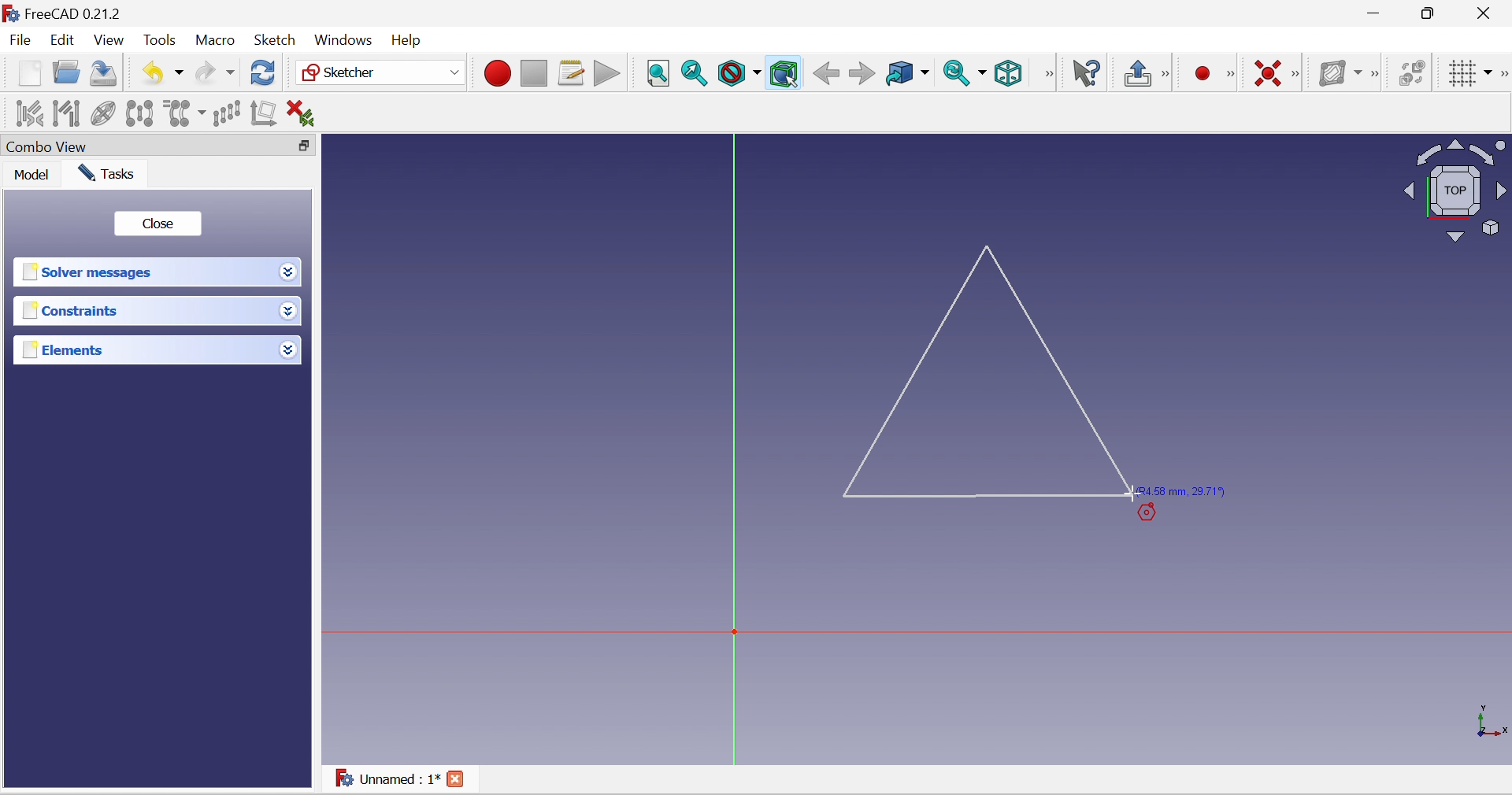 Image resolution: width=1512 pixels, height=795 pixels. What do you see at coordinates (105, 112) in the screenshot?
I see `Show/hide internal geometry` at bounding box center [105, 112].